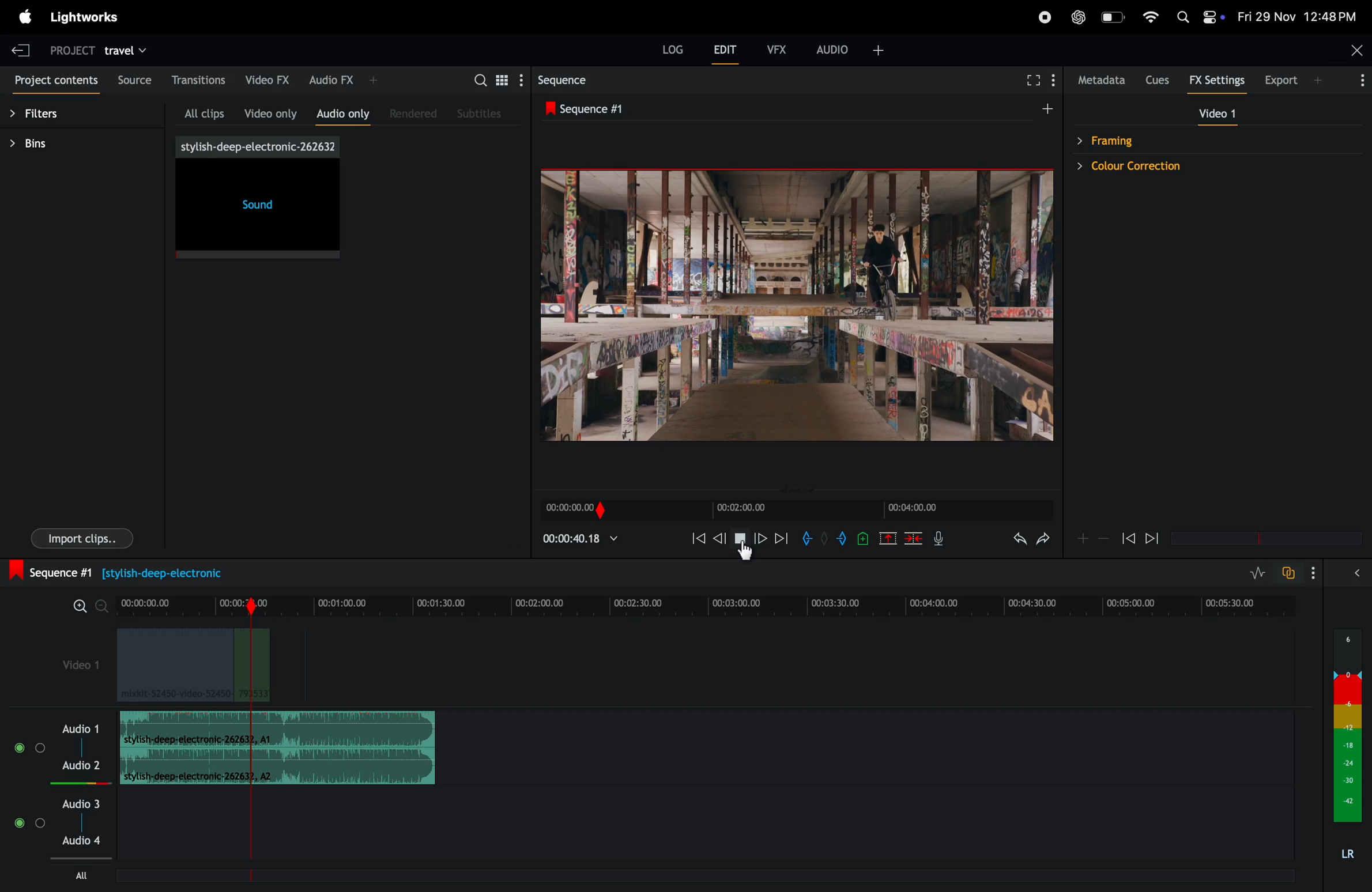 This screenshot has height=892, width=1372. What do you see at coordinates (1151, 16) in the screenshot?
I see `wifi` at bounding box center [1151, 16].